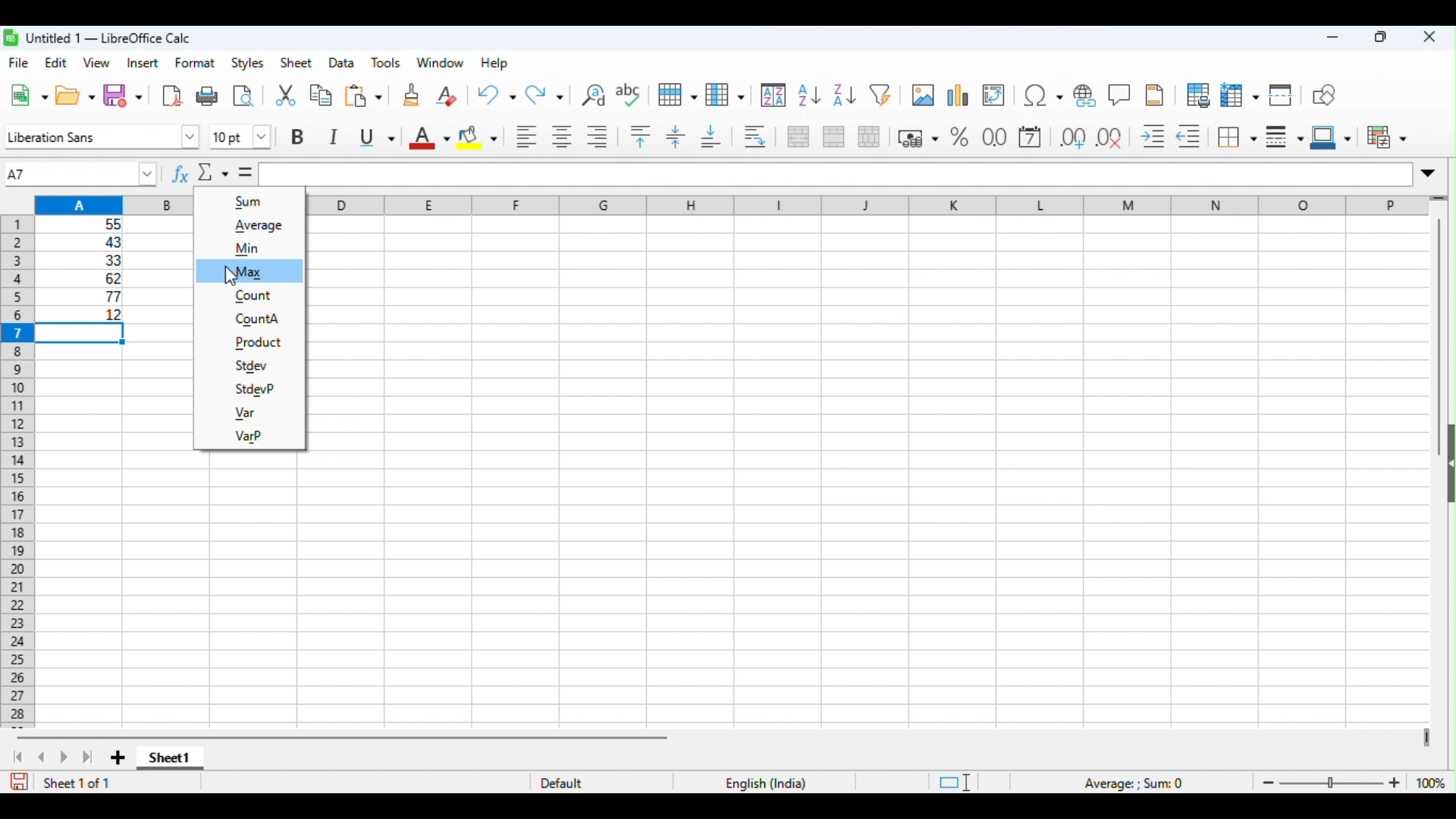  Describe the element at coordinates (1042, 93) in the screenshot. I see `insert special characters` at that location.